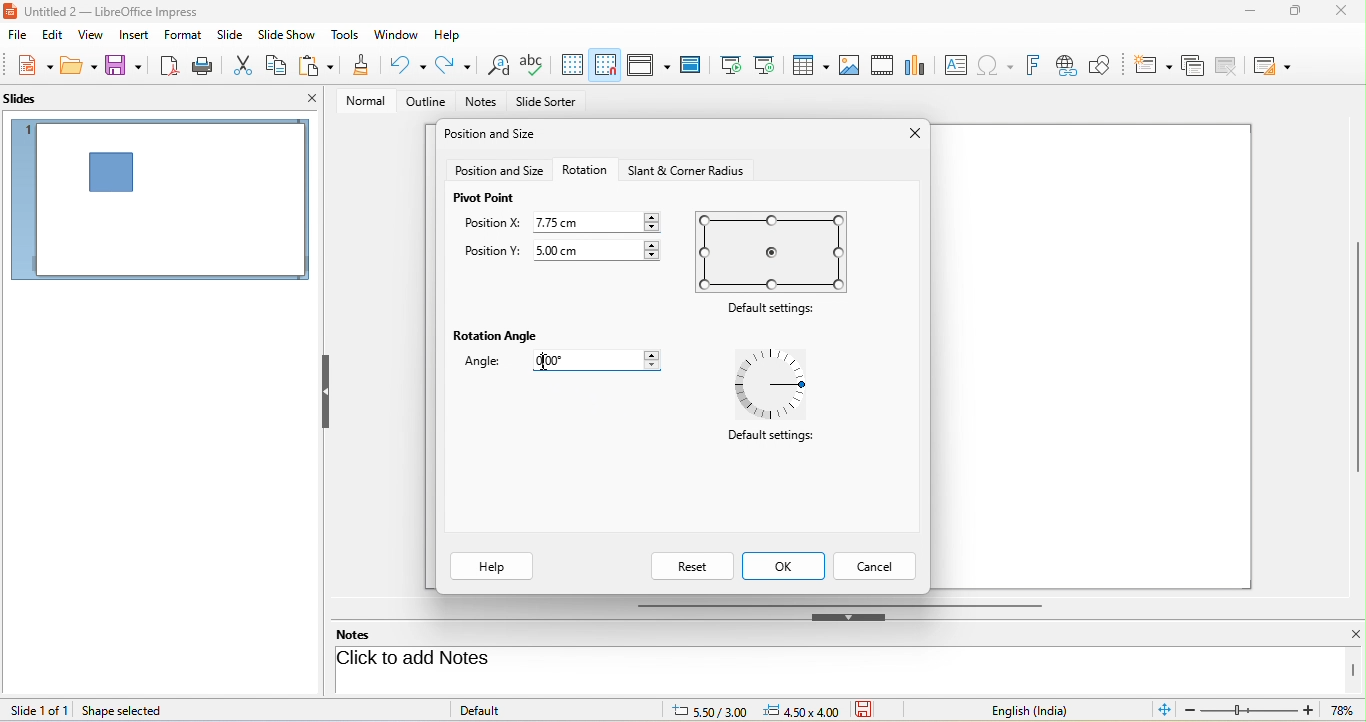 The height and width of the screenshot is (722, 1366). What do you see at coordinates (125, 66) in the screenshot?
I see `save` at bounding box center [125, 66].